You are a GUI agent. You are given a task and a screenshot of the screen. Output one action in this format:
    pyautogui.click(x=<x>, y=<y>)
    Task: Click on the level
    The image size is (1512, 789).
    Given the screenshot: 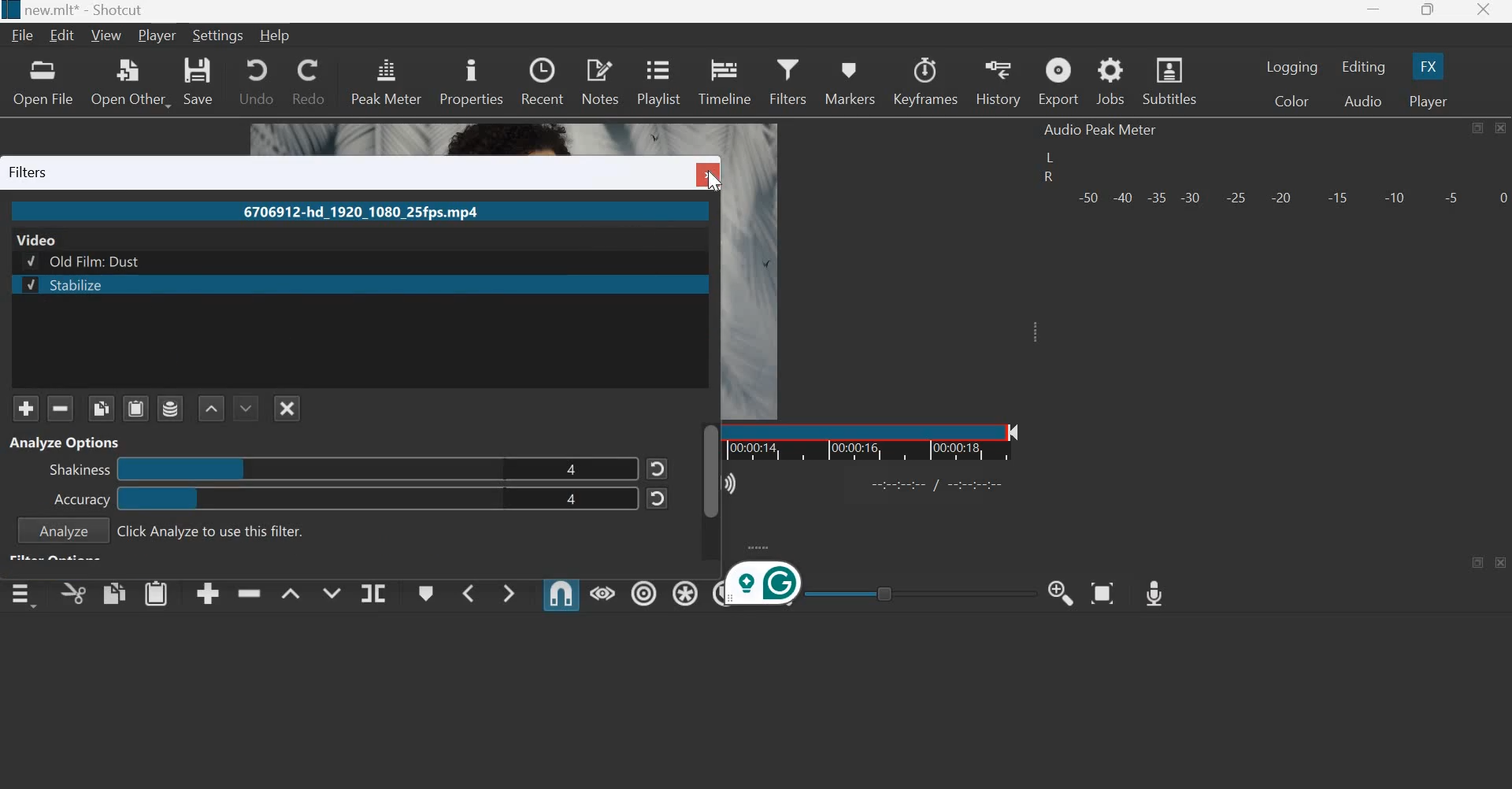 What is the action you would take?
    pyautogui.click(x=305, y=500)
    